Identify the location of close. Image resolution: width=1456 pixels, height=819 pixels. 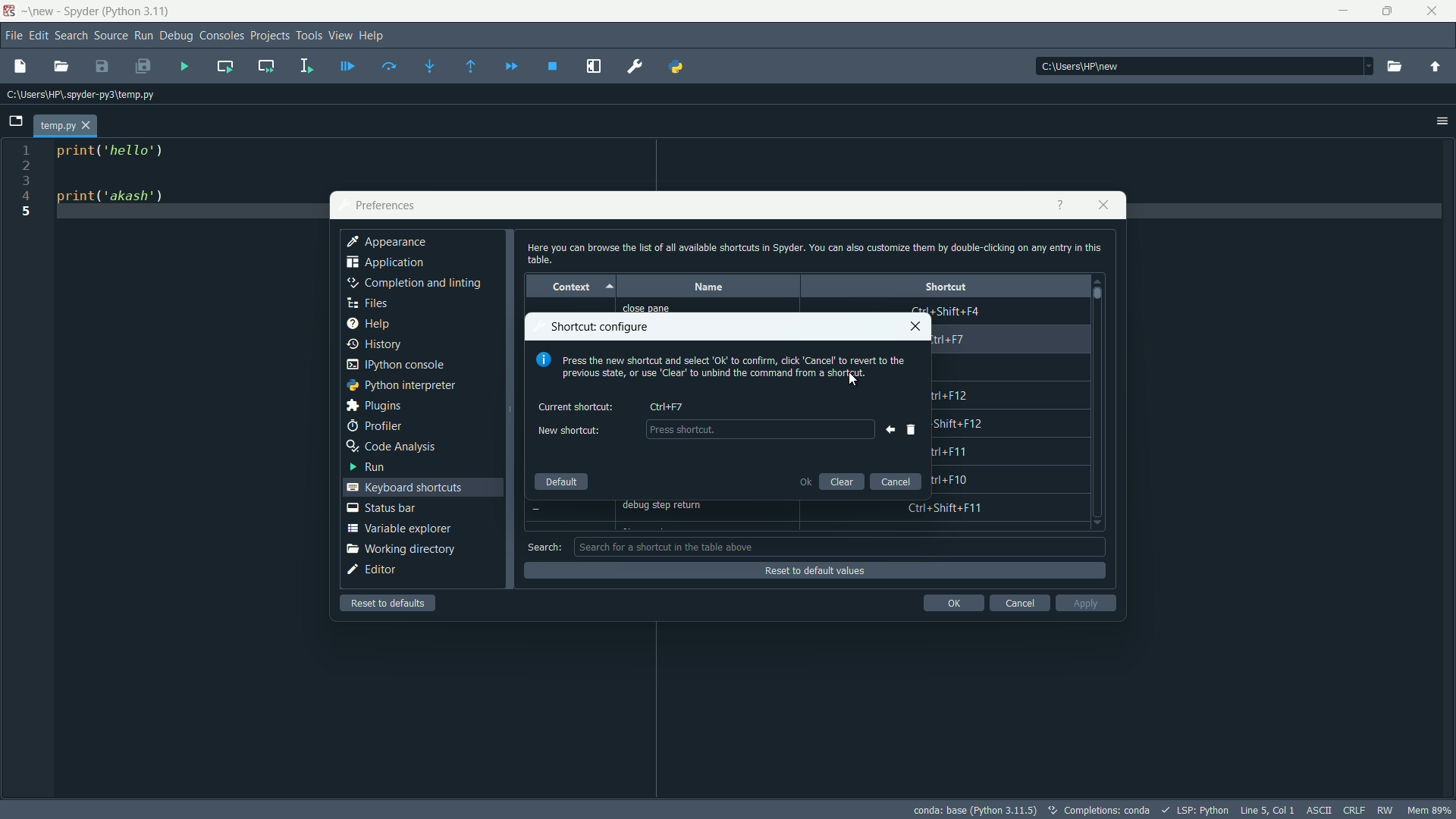
(915, 326).